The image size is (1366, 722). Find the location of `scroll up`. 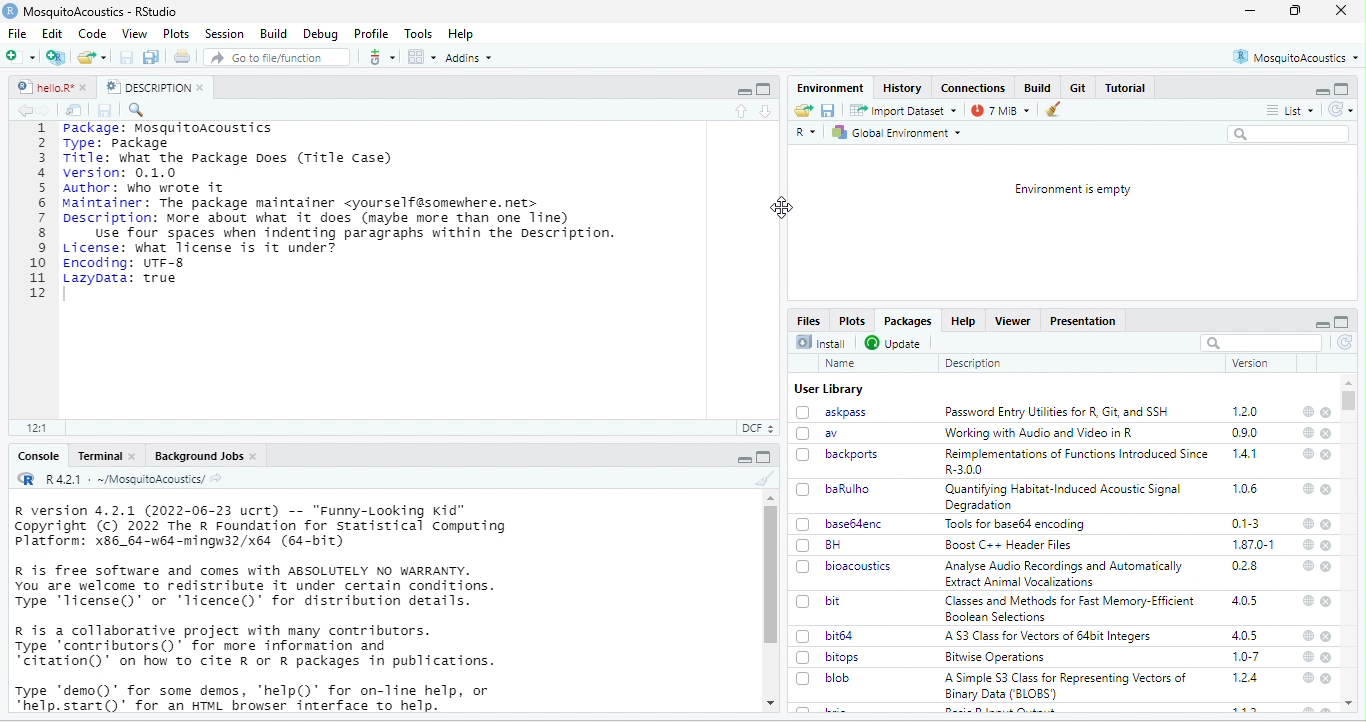

scroll up is located at coordinates (1350, 382).